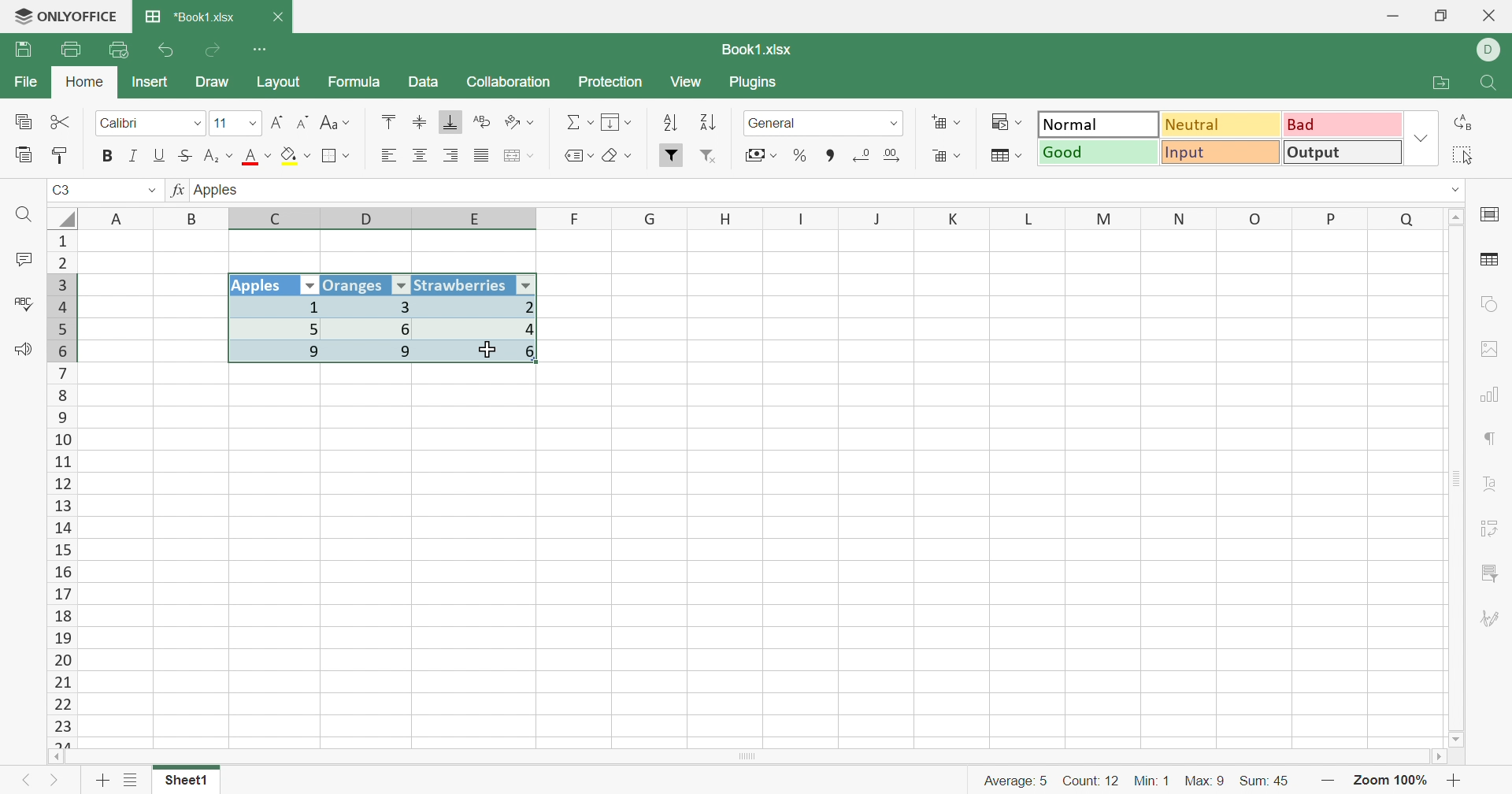  Describe the element at coordinates (1391, 780) in the screenshot. I see `Zoom 100%` at that location.